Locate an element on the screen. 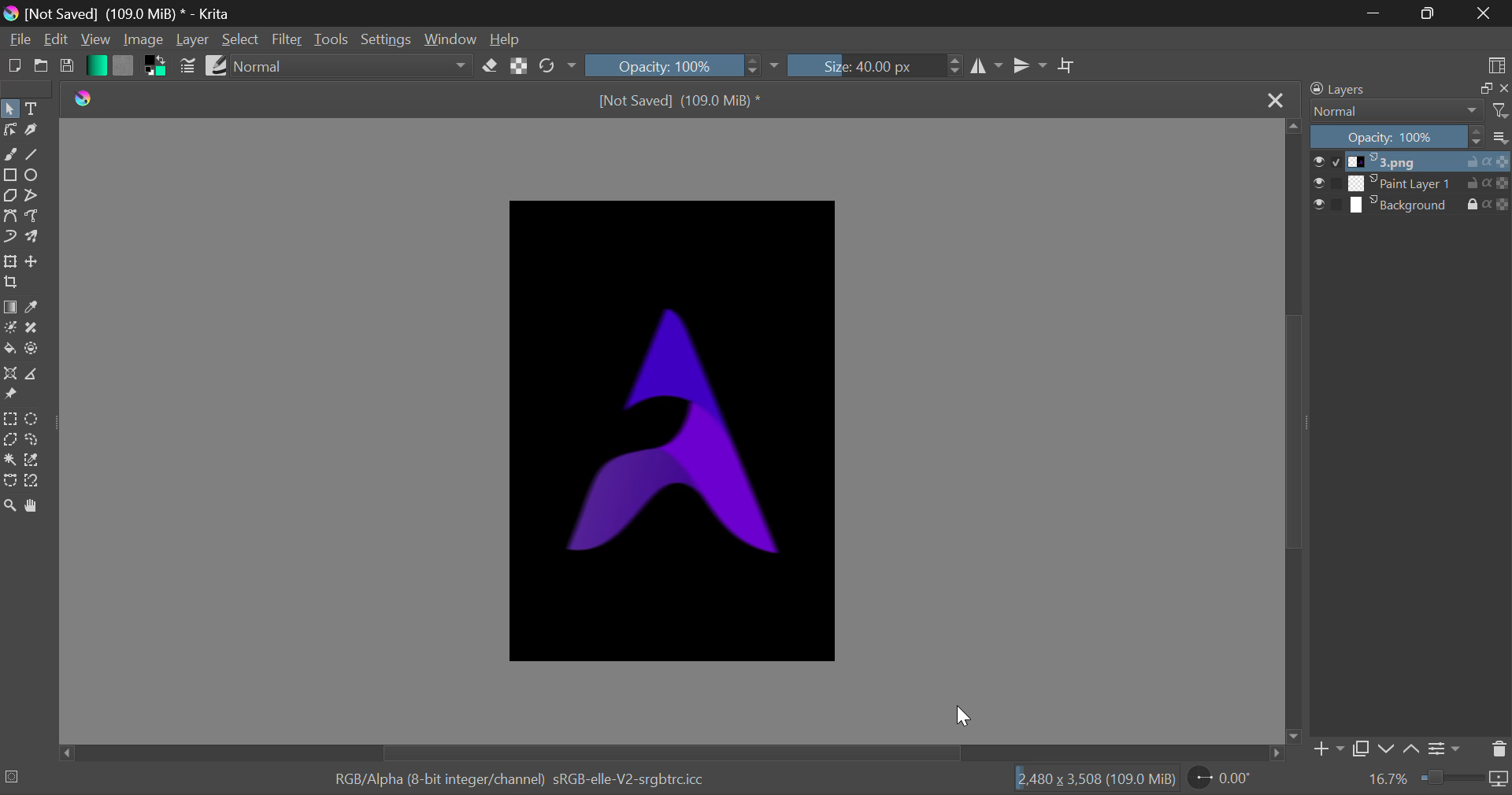 The height and width of the screenshot is (795, 1512). dropdown is located at coordinates (778, 66).